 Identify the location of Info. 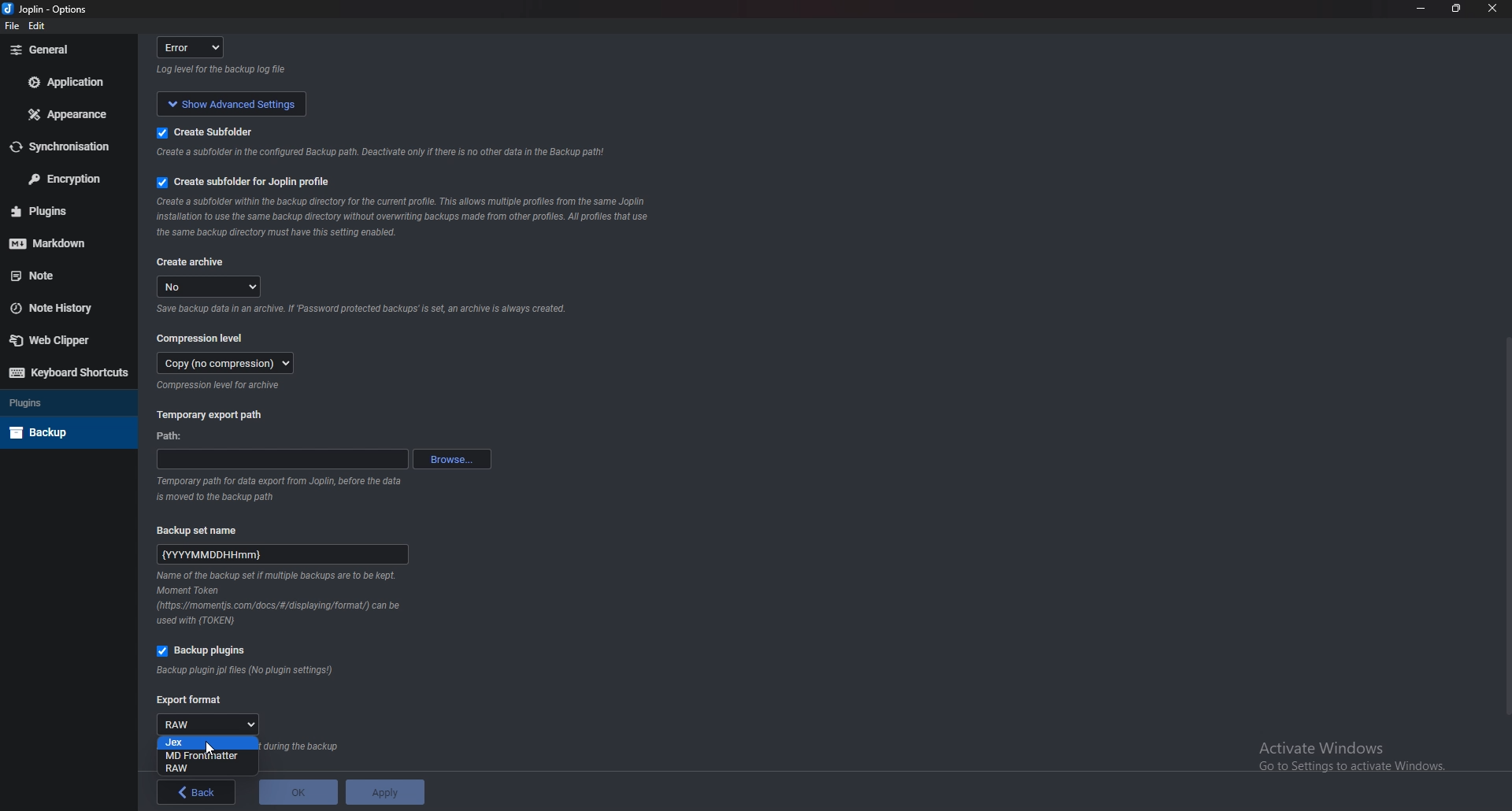
(246, 671).